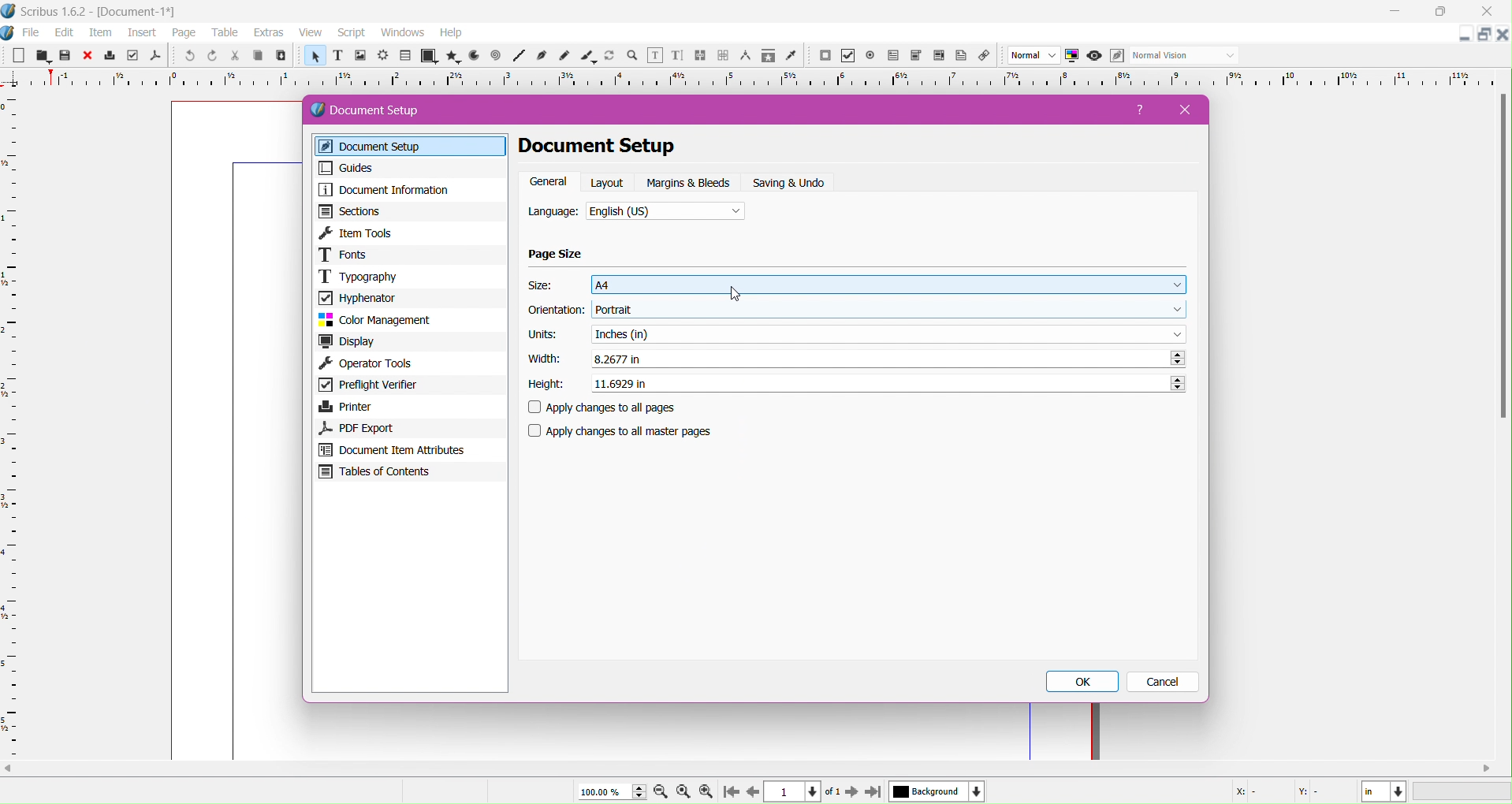  What do you see at coordinates (184, 34) in the screenshot?
I see `page menu` at bounding box center [184, 34].